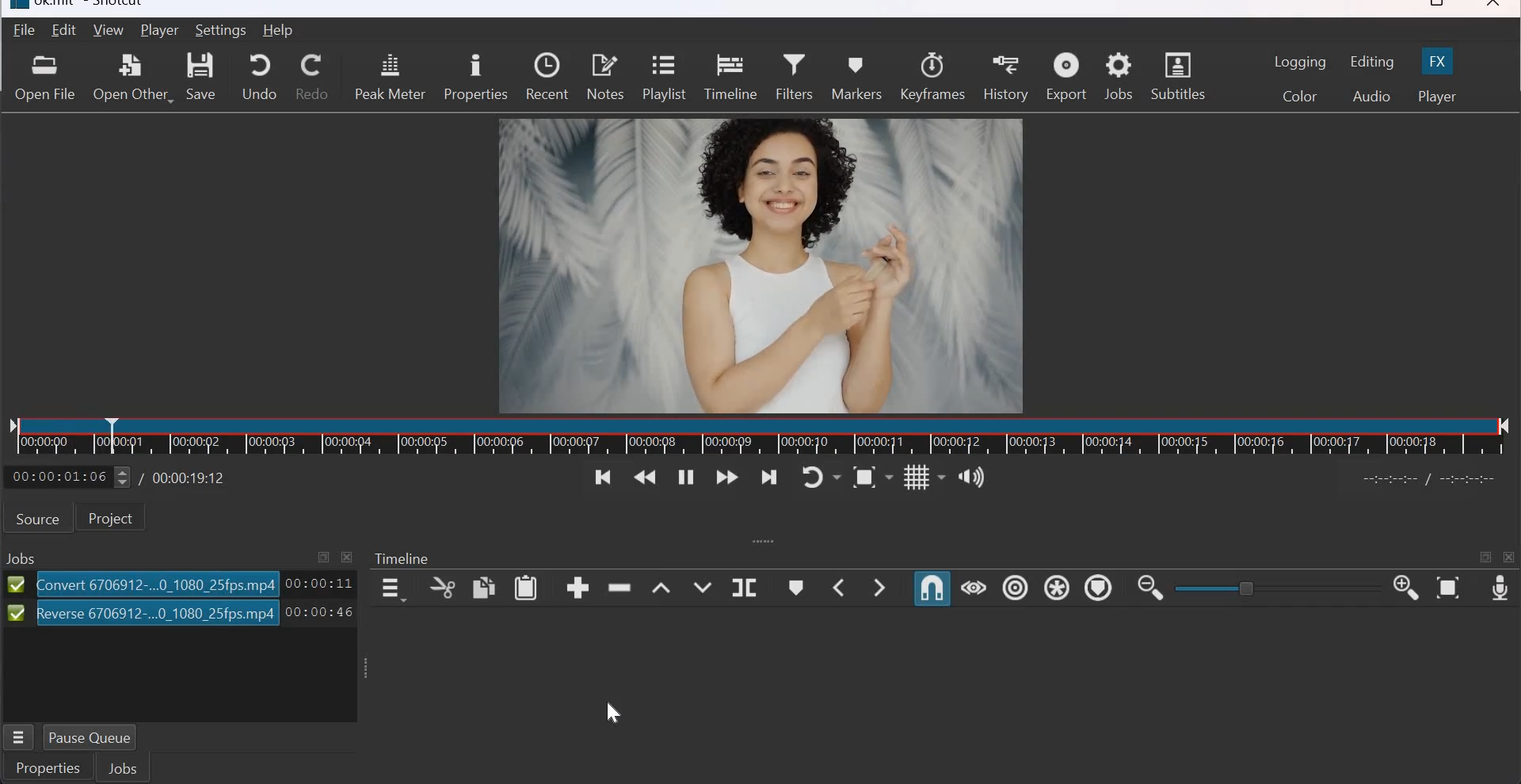  Describe the element at coordinates (18, 734) in the screenshot. I see `Menu` at that location.